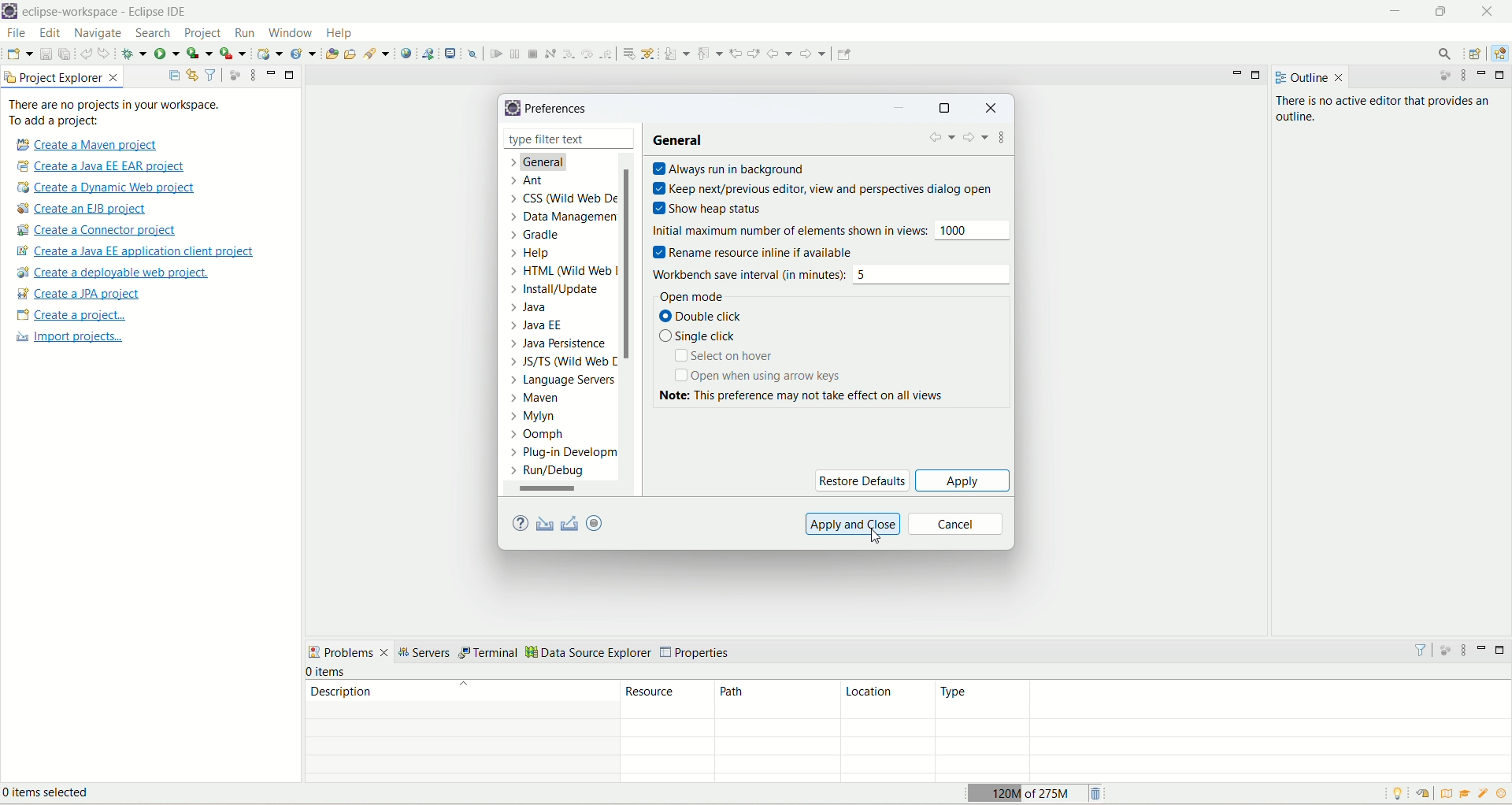 The width and height of the screenshot is (1512, 805). What do you see at coordinates (106, 53) in the screenshot?
I see `redo` at bounding box center [106, 53].